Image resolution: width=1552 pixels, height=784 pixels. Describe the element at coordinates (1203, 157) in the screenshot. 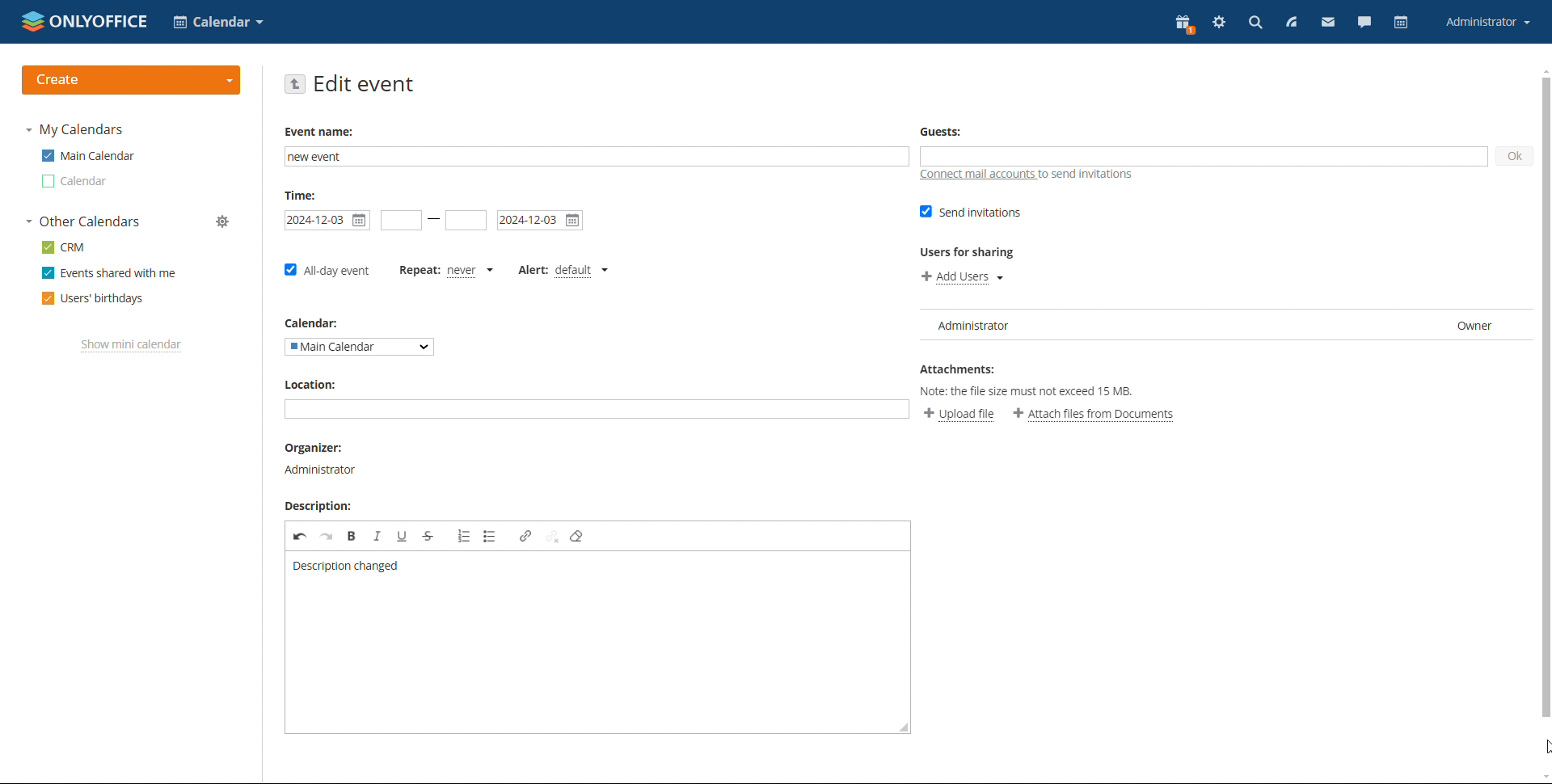

I see `add guests` at that location.